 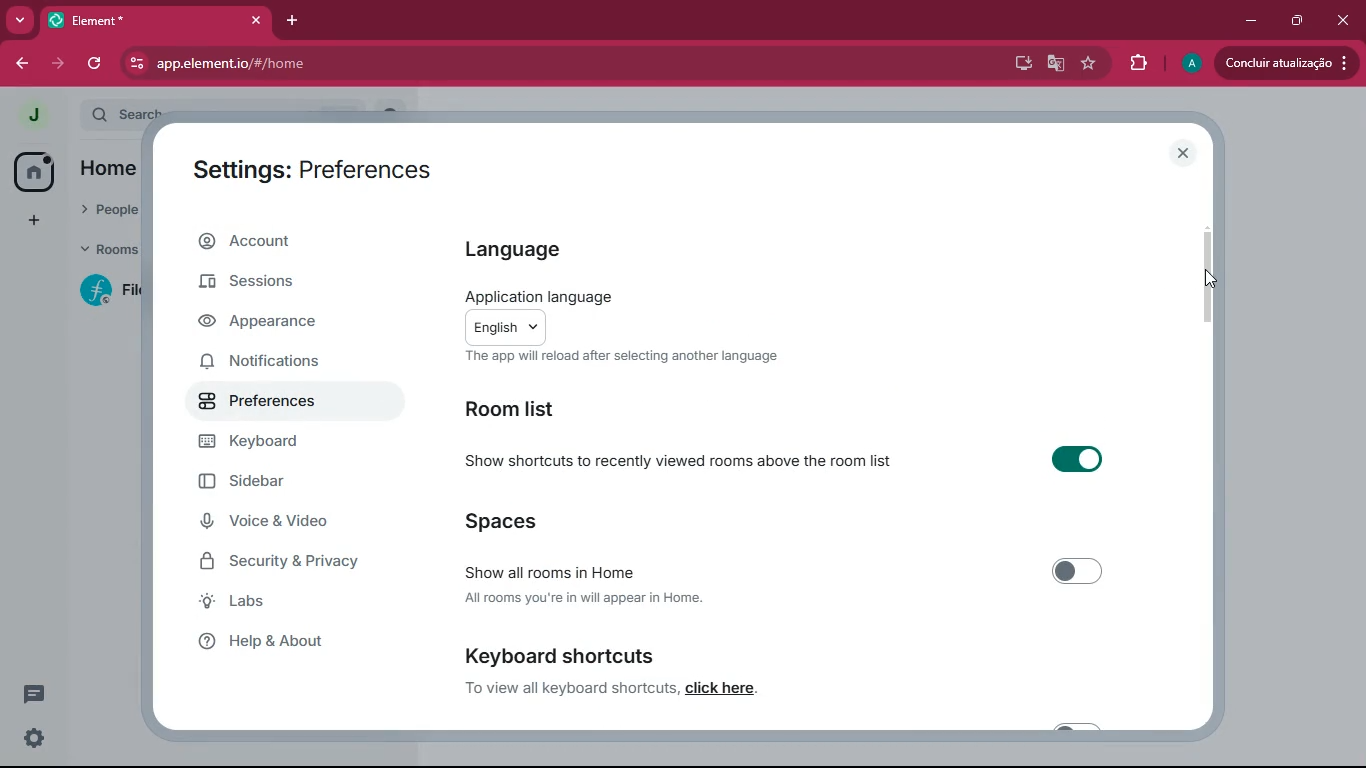 What do you see at coordinates (284, 280) in the screenshot?
I see `sessions` at bounding box center [284, 280].